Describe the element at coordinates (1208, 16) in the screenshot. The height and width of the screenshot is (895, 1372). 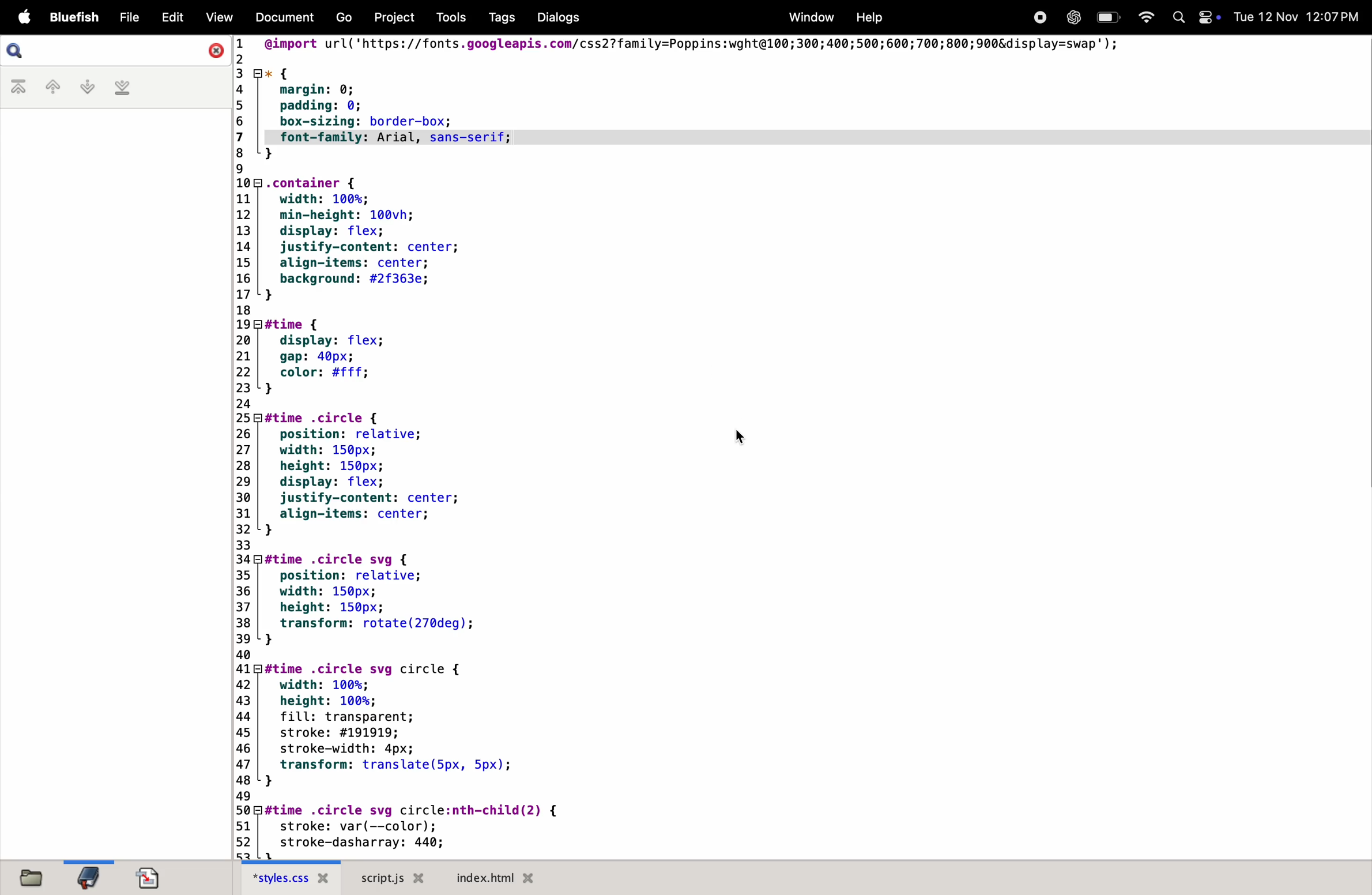
I see `Control Centre` at that location.